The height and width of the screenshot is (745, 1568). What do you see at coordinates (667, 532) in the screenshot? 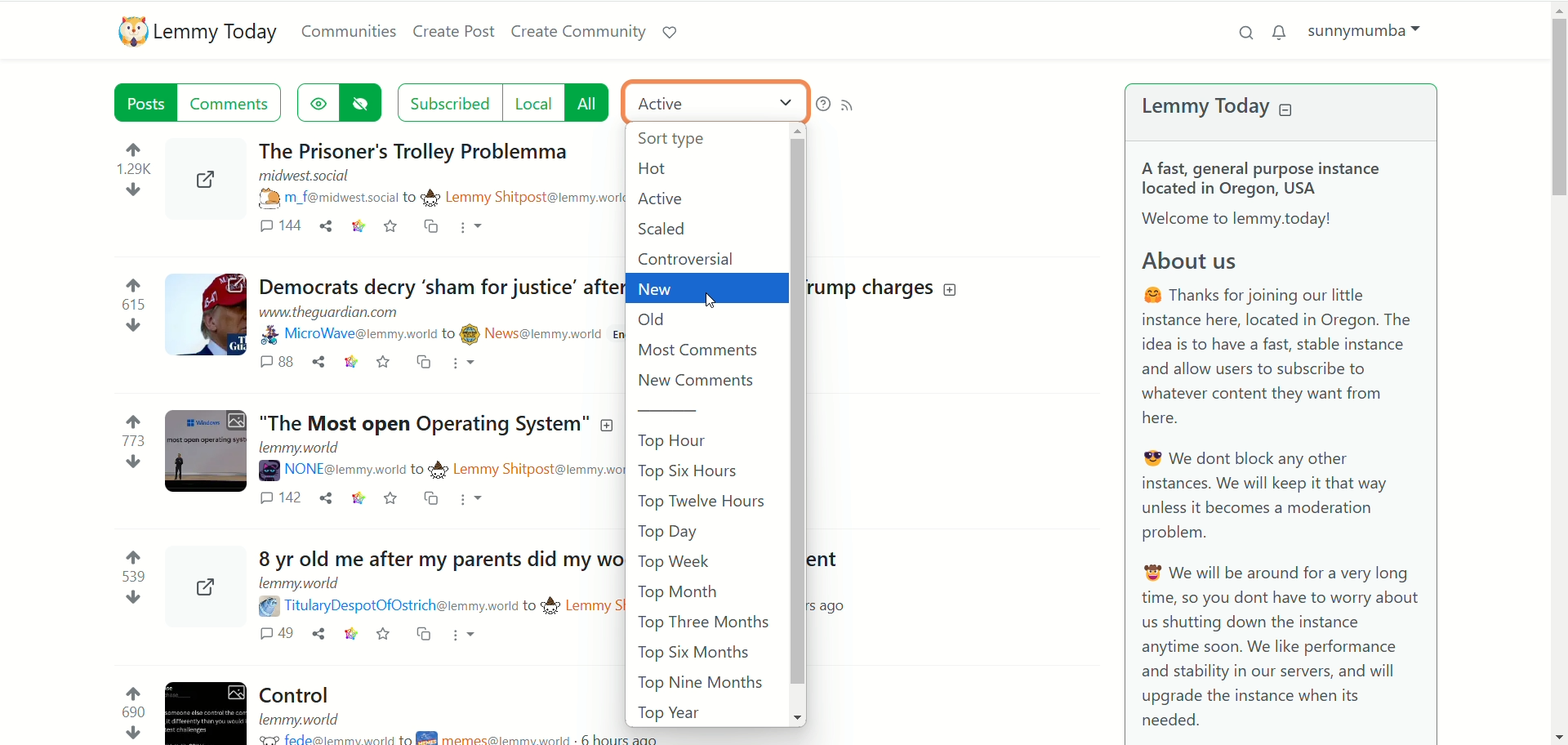
I see `top day` at bounding box center [667, 532].